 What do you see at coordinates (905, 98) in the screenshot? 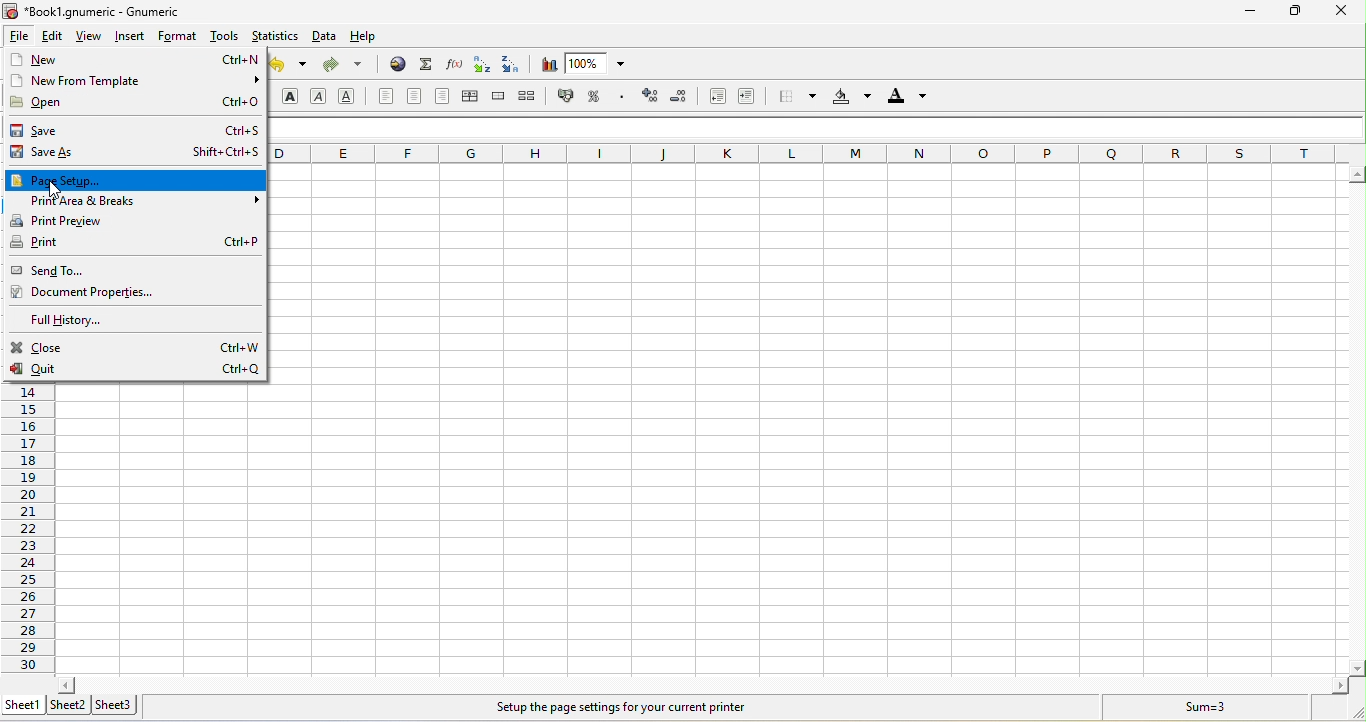
I see `foreground` at bounding box center [905, 98].